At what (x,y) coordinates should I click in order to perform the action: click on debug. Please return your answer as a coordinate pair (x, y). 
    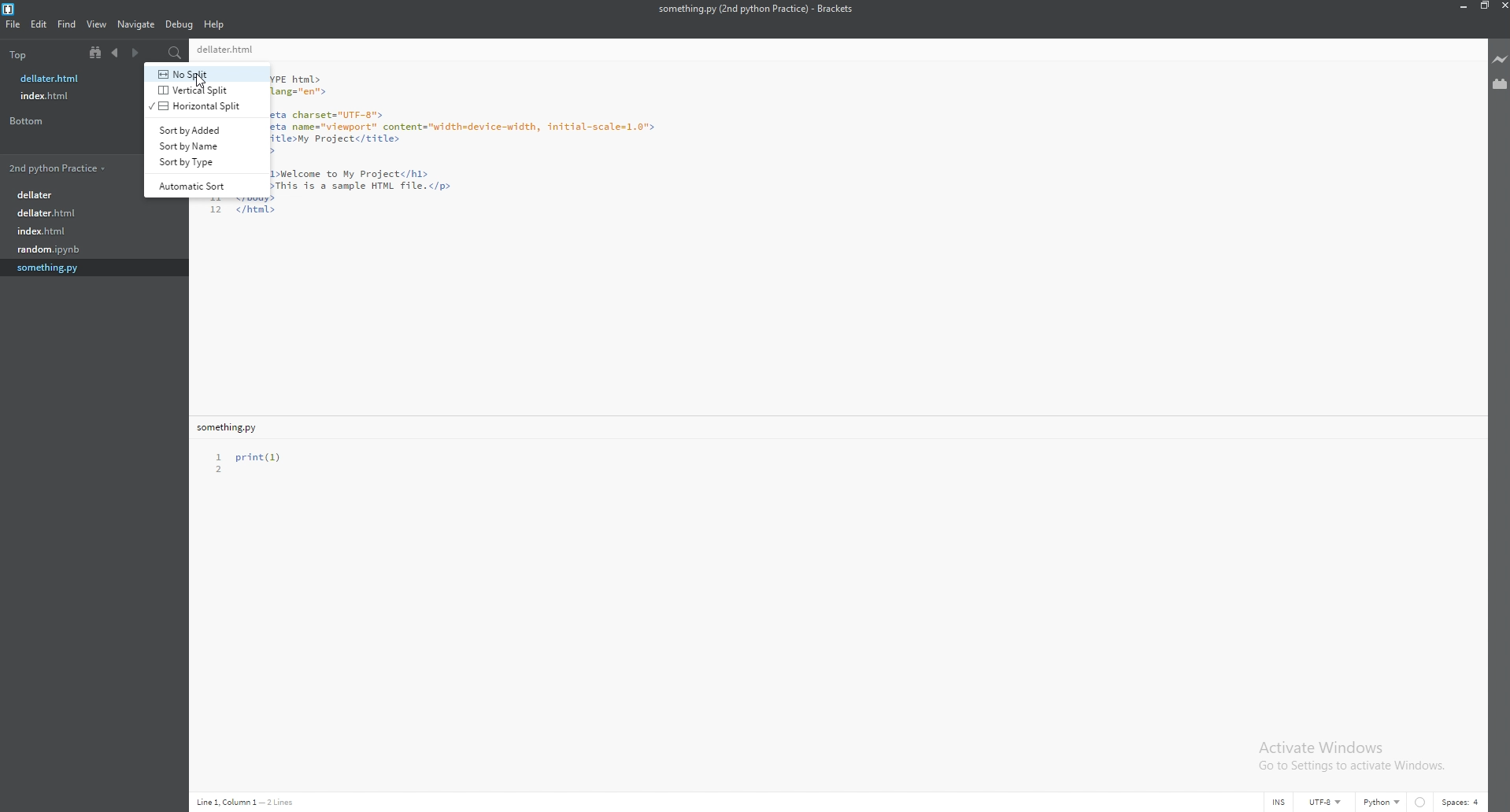
    Looking at the image, I should click on (179, 25).